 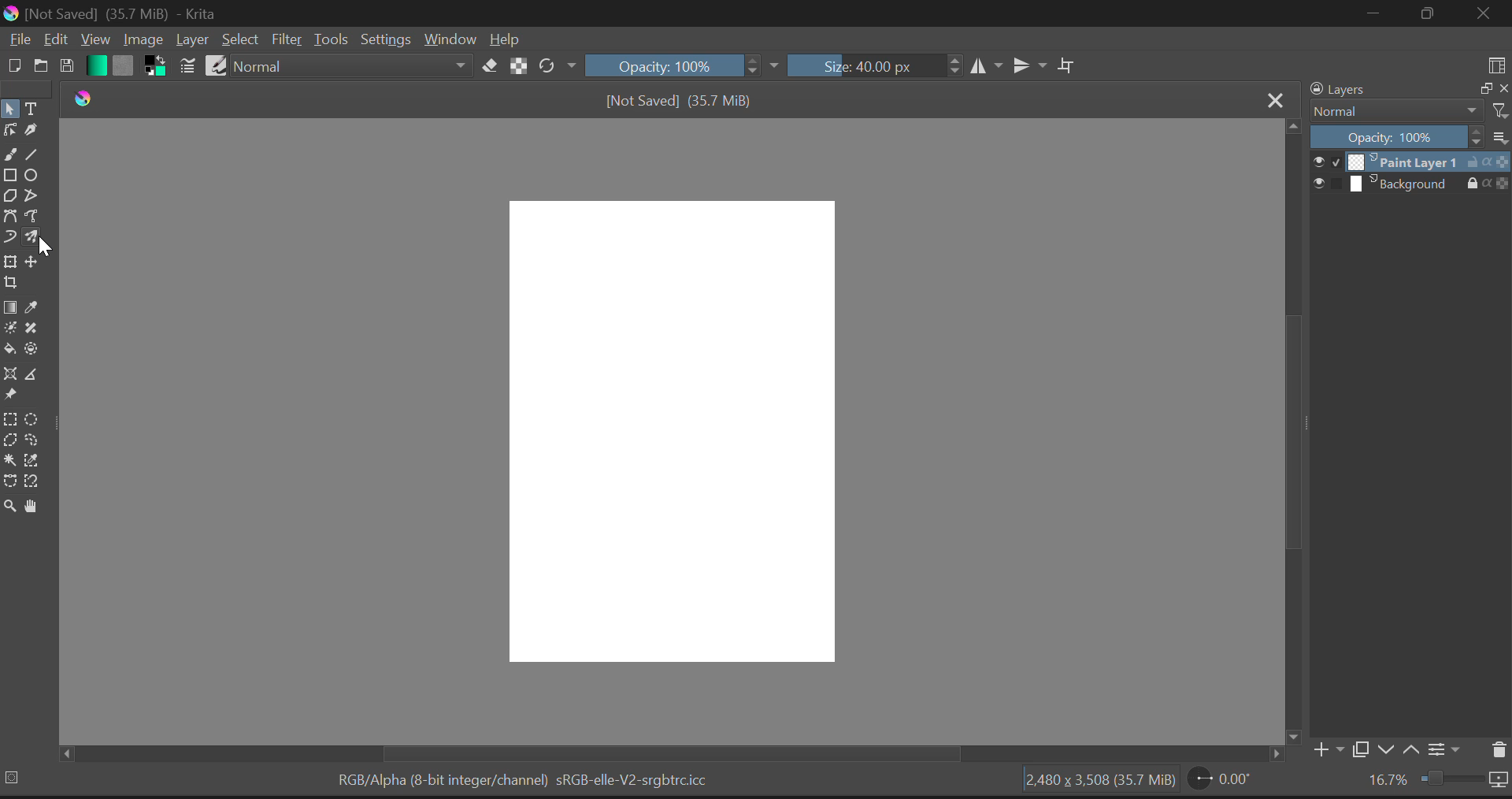 What do you see at coordinates (1394, 111) in the screenshot?
I see `Normal` at bounding box center [1394, 111].